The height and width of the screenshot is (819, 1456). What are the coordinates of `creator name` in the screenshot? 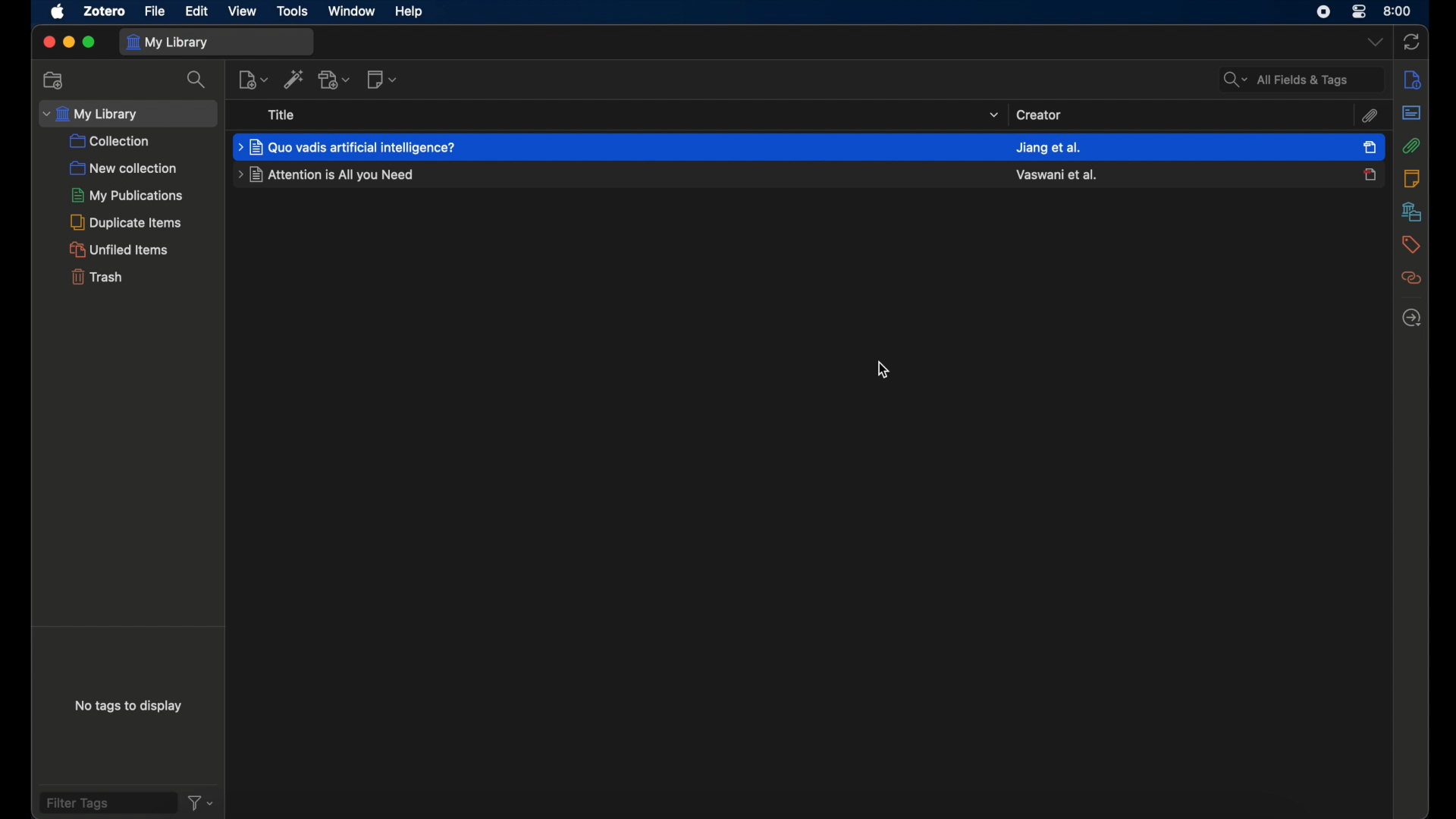 It's located at (1057, 174).